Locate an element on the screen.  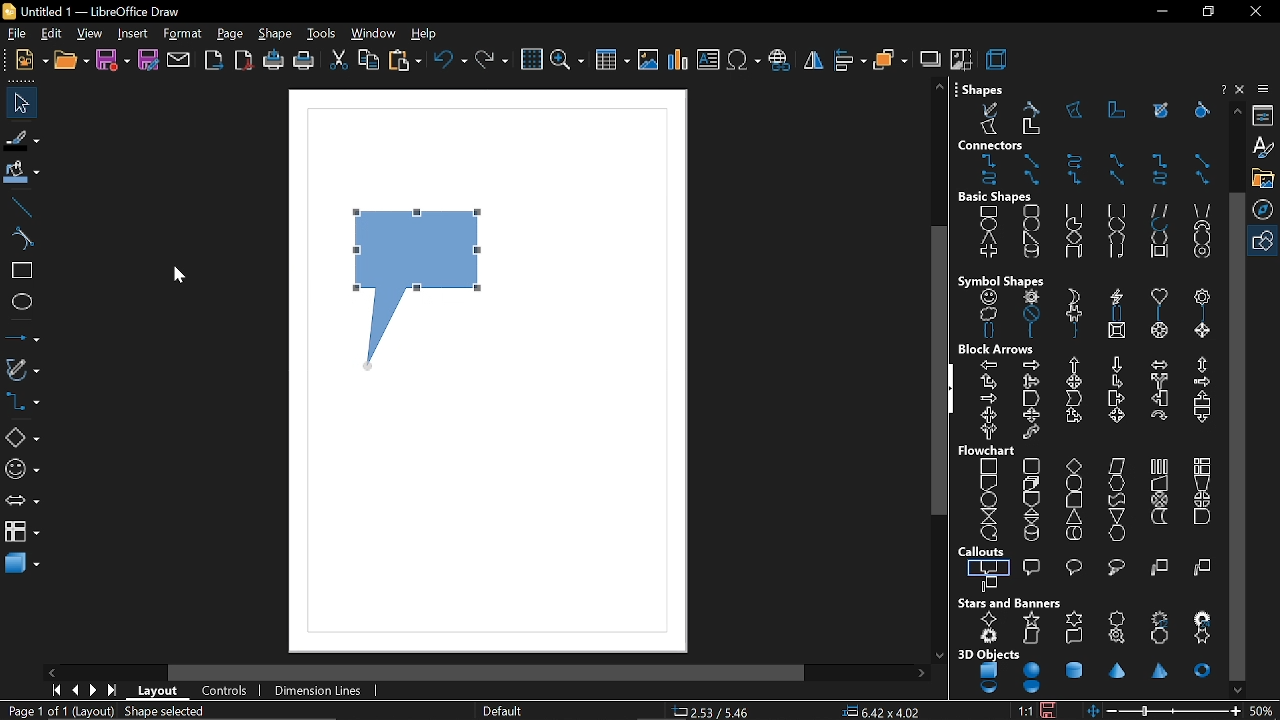
connector is located at coordinates (1161, 161).